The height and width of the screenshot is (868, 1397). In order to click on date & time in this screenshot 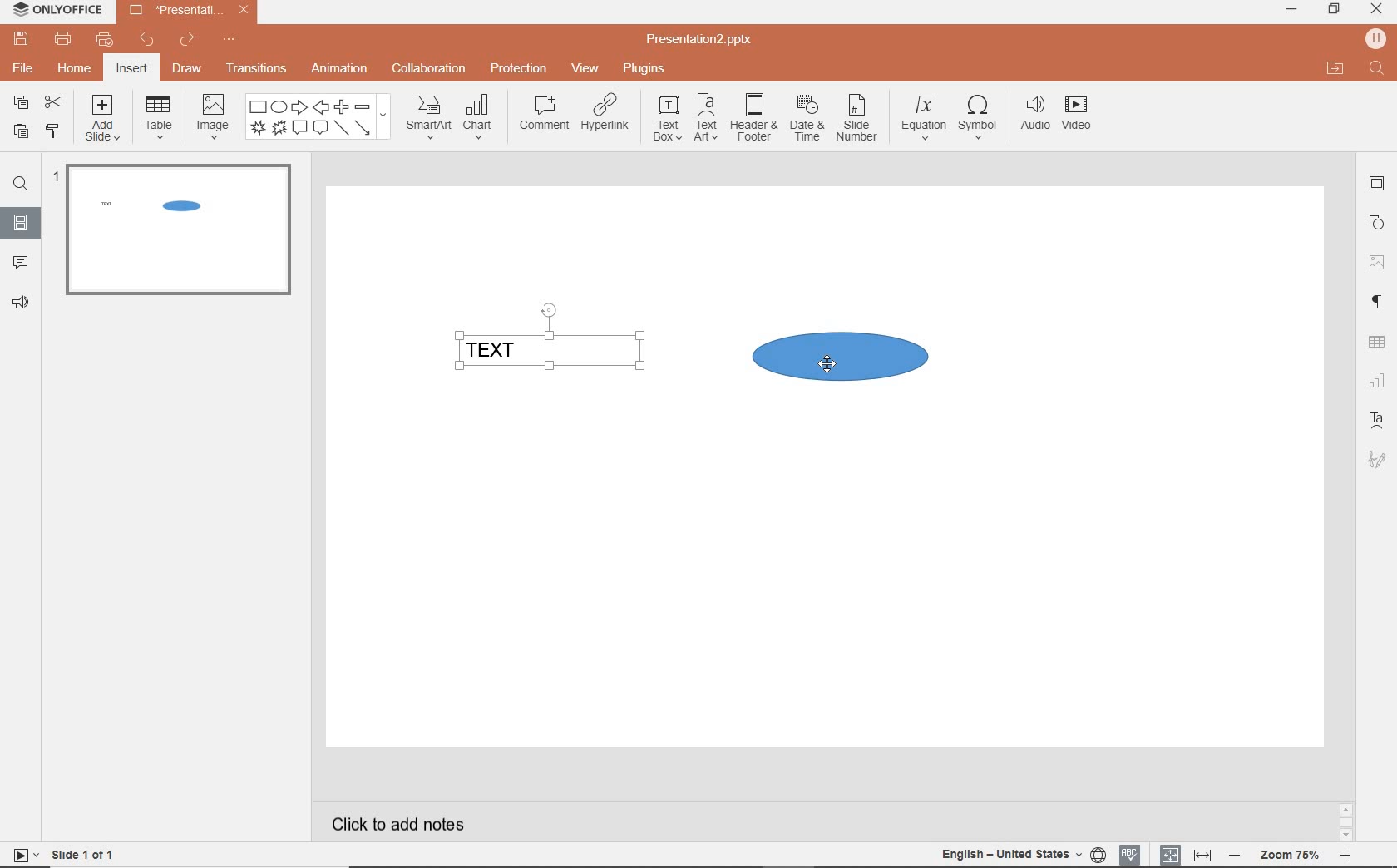, I will do `click(805, 122)`.